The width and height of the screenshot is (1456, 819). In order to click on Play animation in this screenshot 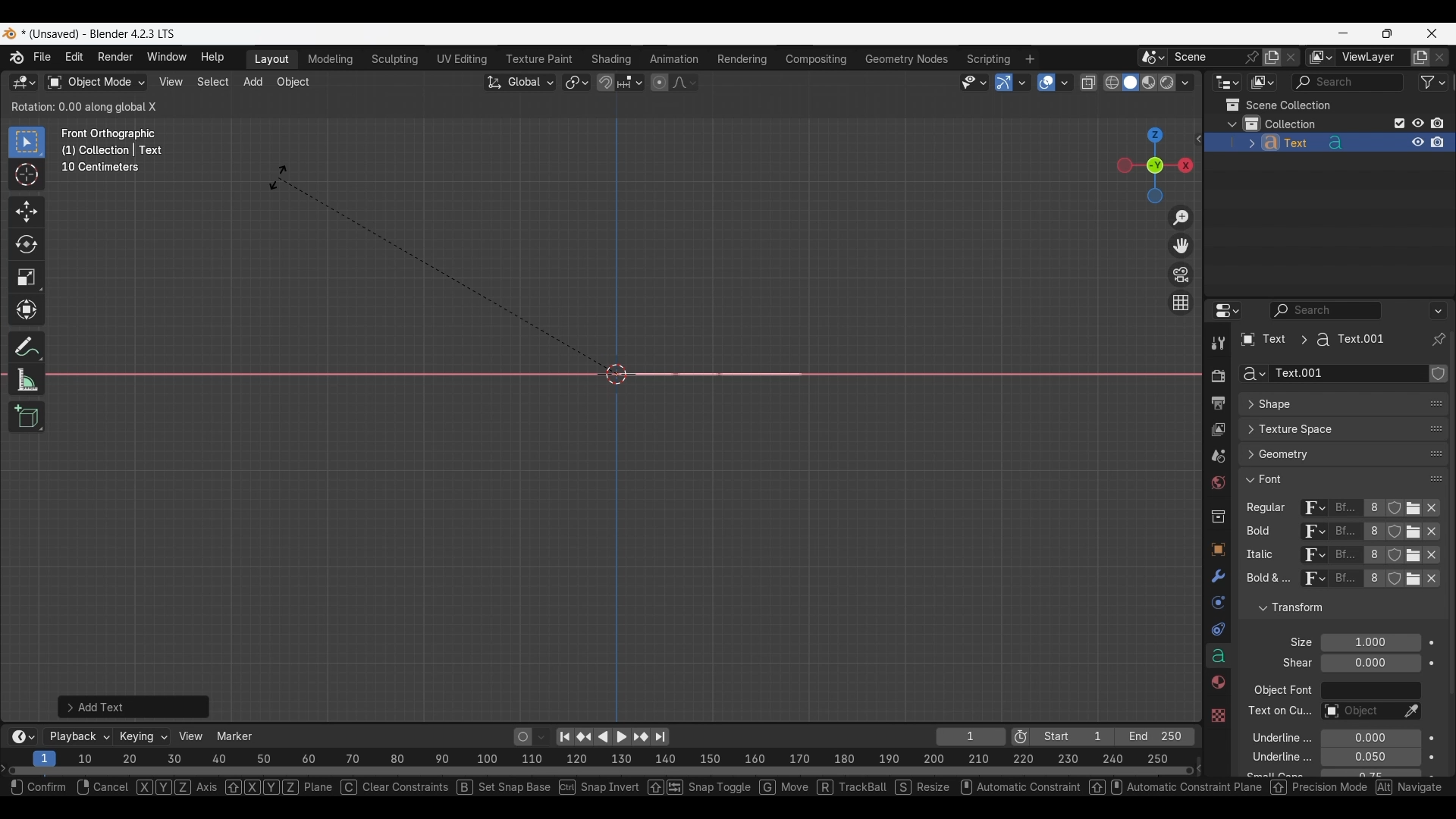, I will do `click(611, 737)`.